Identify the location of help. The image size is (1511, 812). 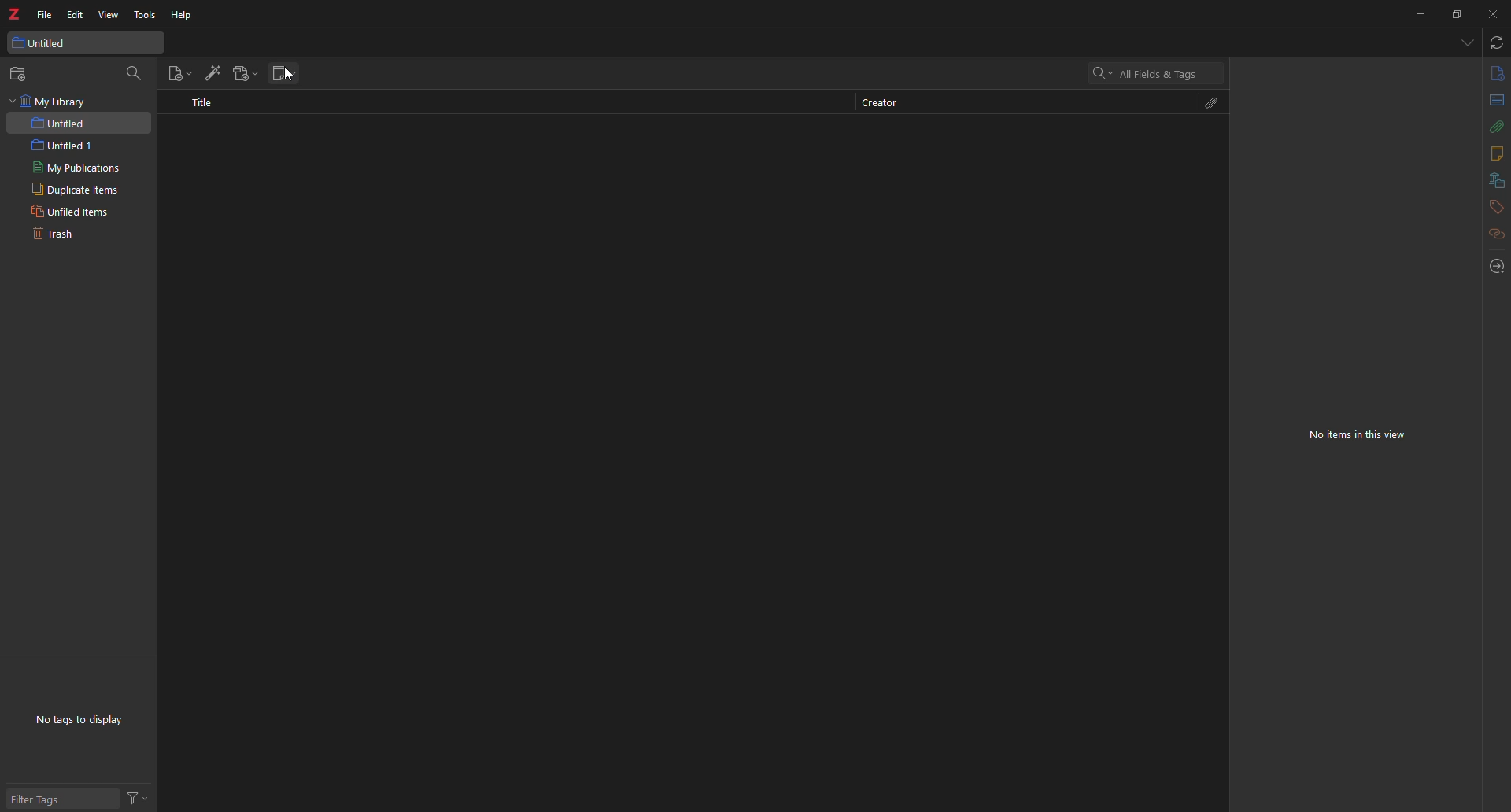
(187, 14).